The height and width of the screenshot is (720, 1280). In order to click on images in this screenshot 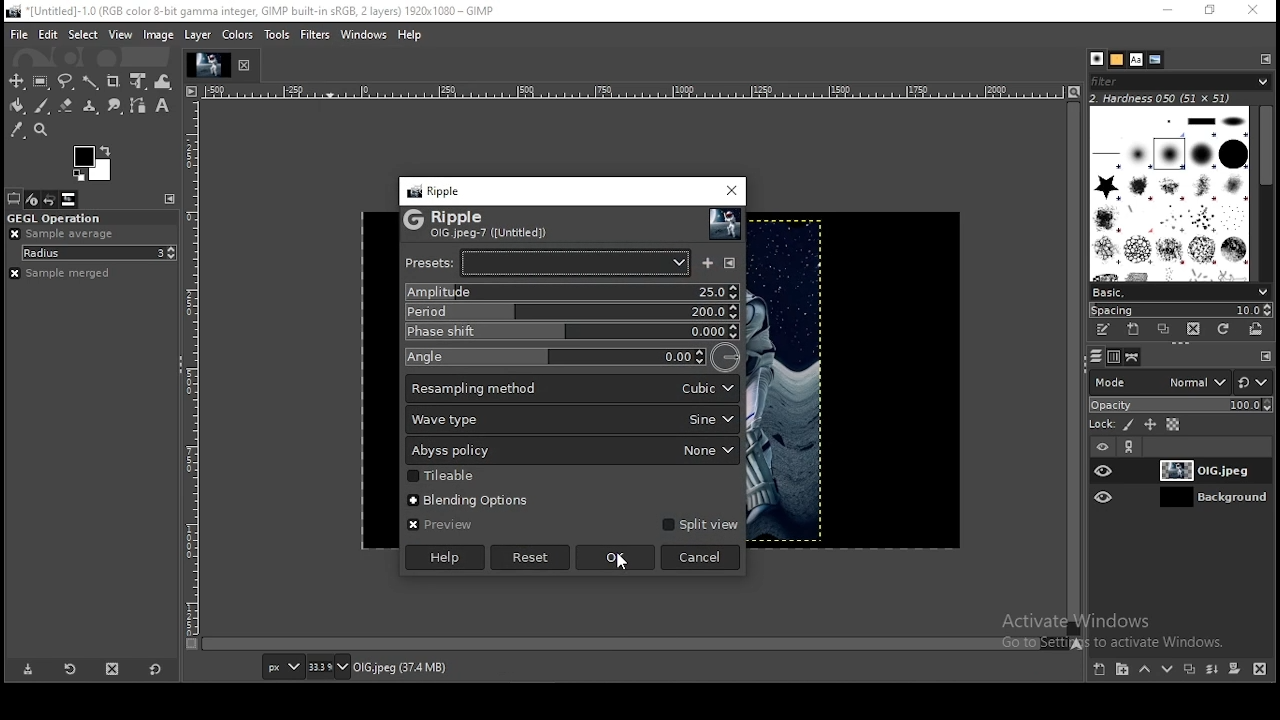, I will do `click(69, 199)`.